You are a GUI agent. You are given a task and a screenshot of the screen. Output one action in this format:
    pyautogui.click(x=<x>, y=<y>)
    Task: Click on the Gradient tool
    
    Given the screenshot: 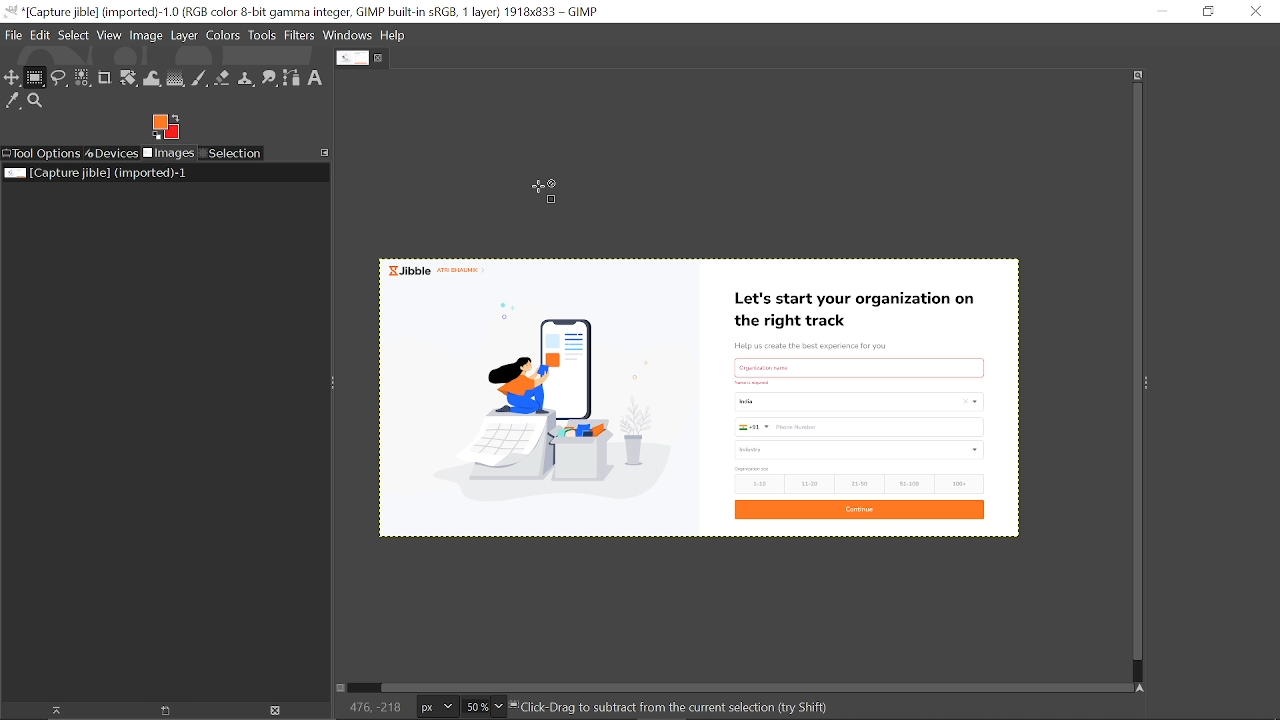 What is the action you would take?
    pyautogui.click(x=176, y=79)
    